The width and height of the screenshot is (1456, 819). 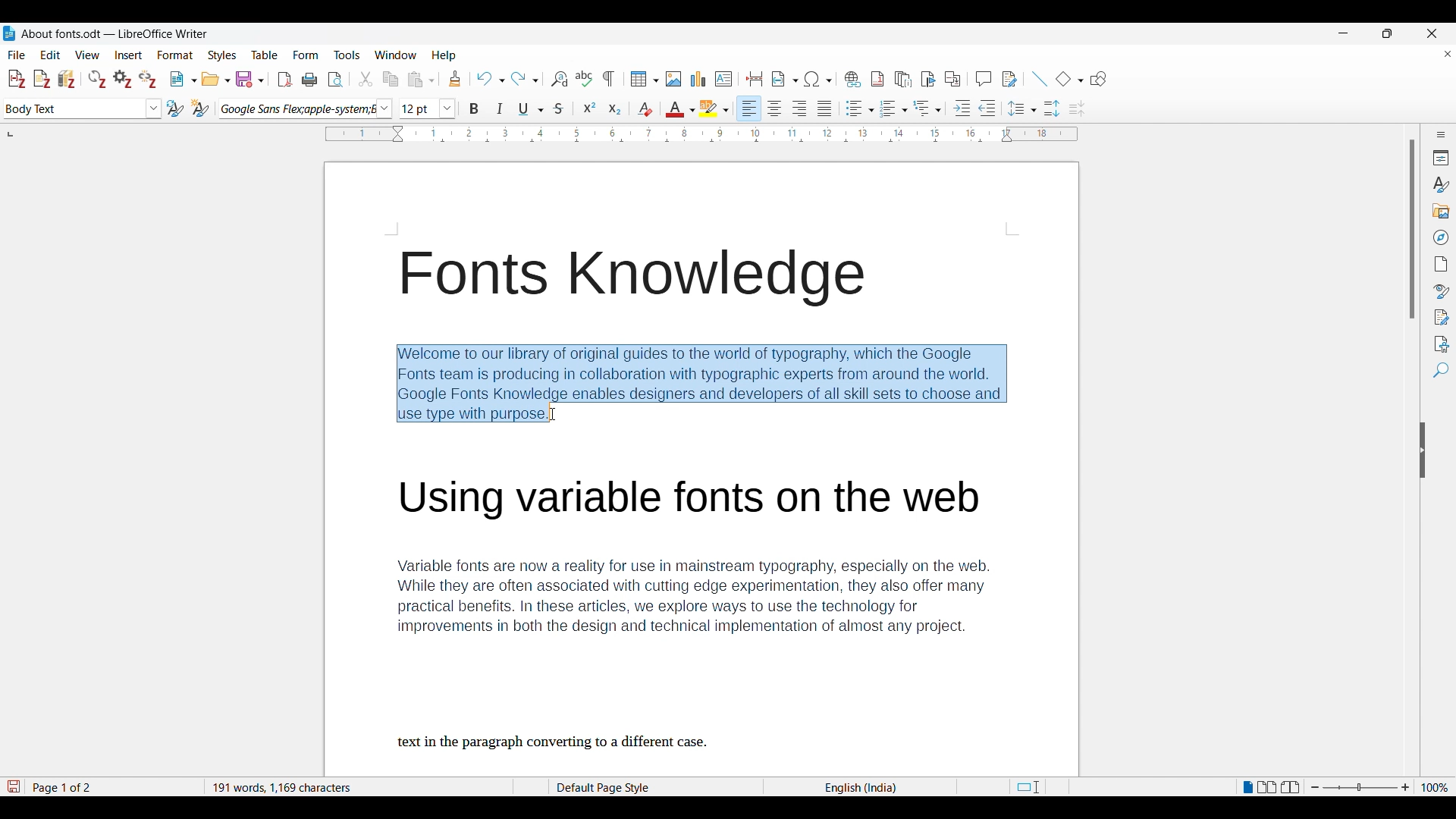 What do you see at coordinates (681, 108) in the screenshot?
I see `Text color options` at bounding box center [681, 108].